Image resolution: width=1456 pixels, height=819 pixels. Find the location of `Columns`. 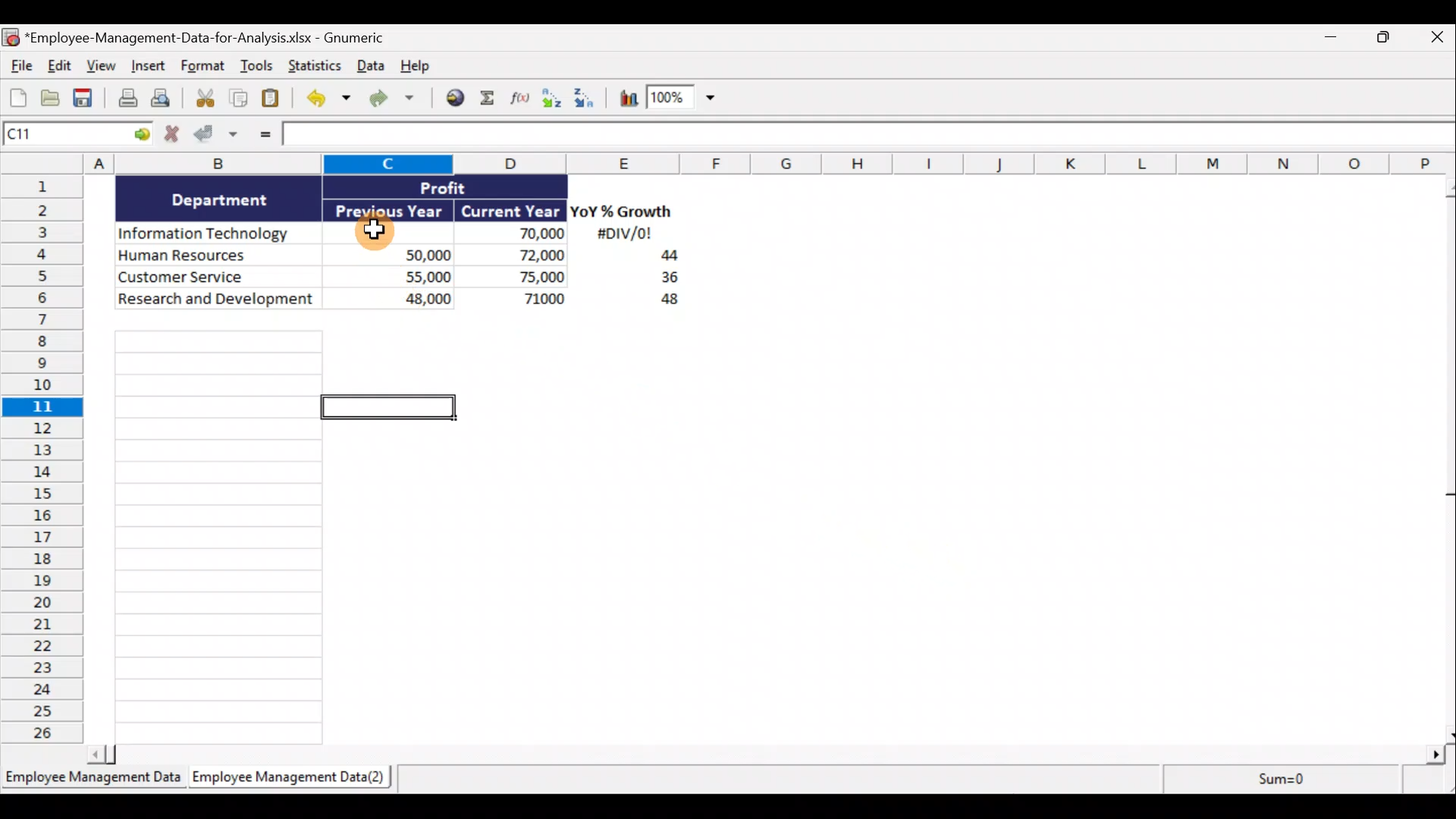

Columns is located at coordinates (731, 163).